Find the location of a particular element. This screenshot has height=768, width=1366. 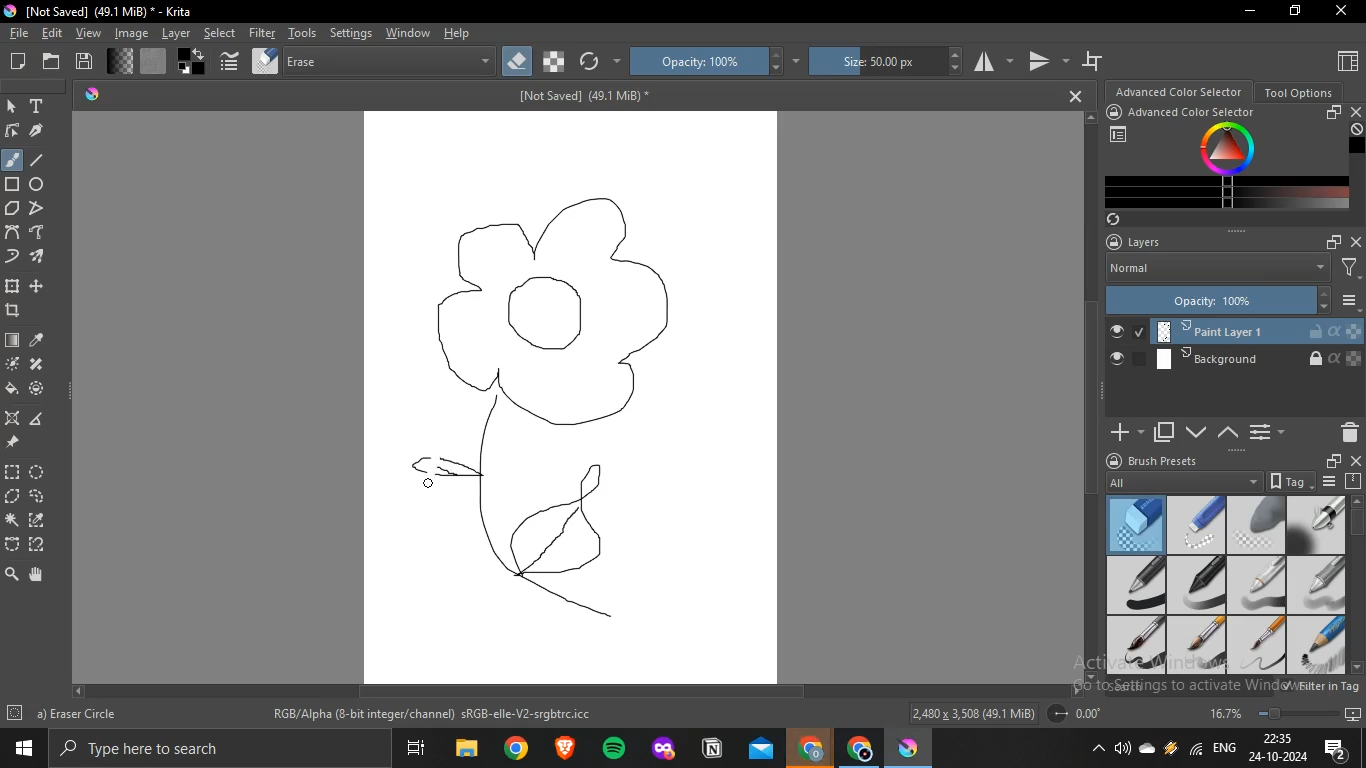

tool options is located at coordinates (1300, 91).